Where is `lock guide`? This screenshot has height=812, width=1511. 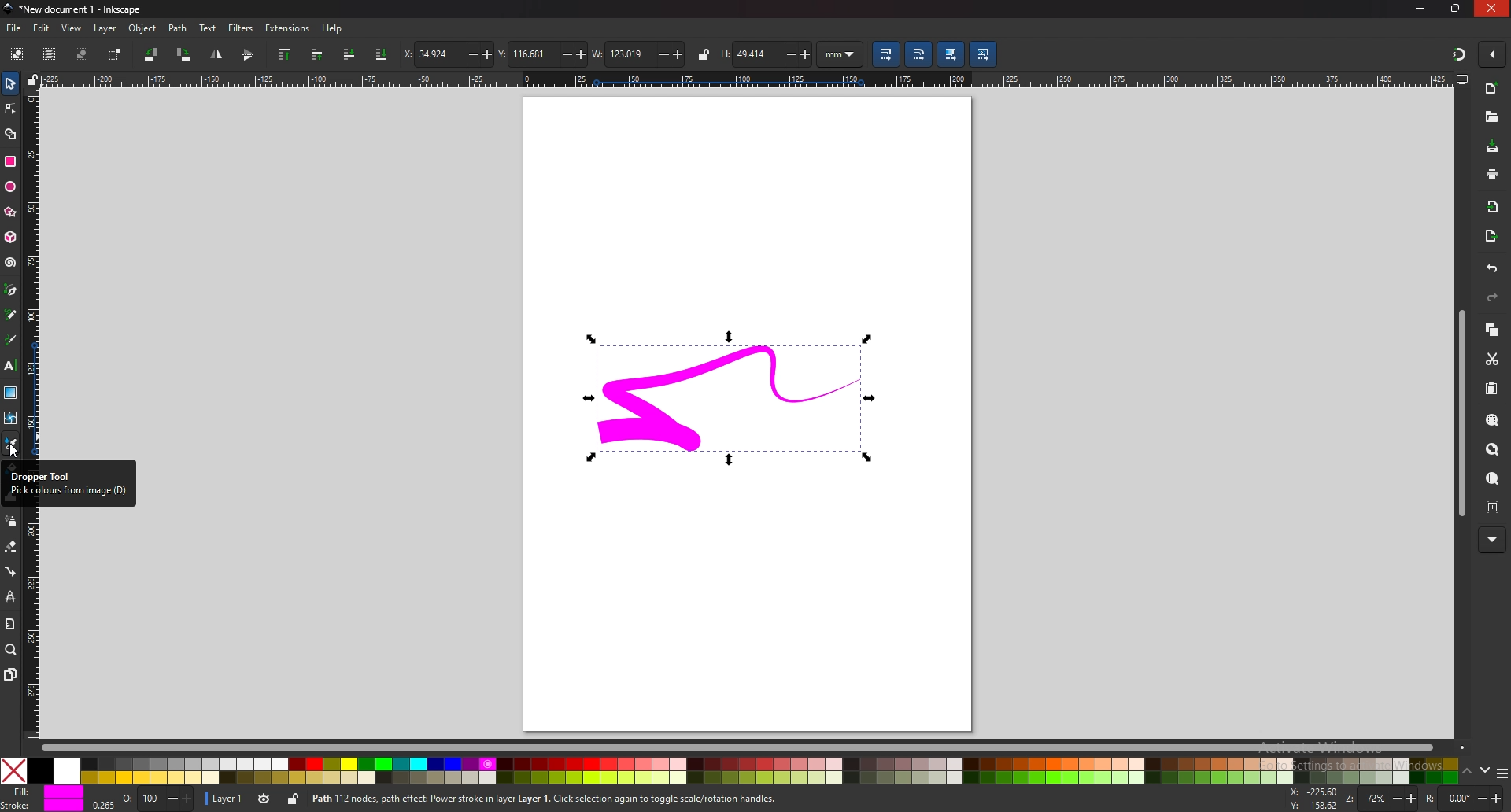
lock guide is located at coordinates (32, 79).